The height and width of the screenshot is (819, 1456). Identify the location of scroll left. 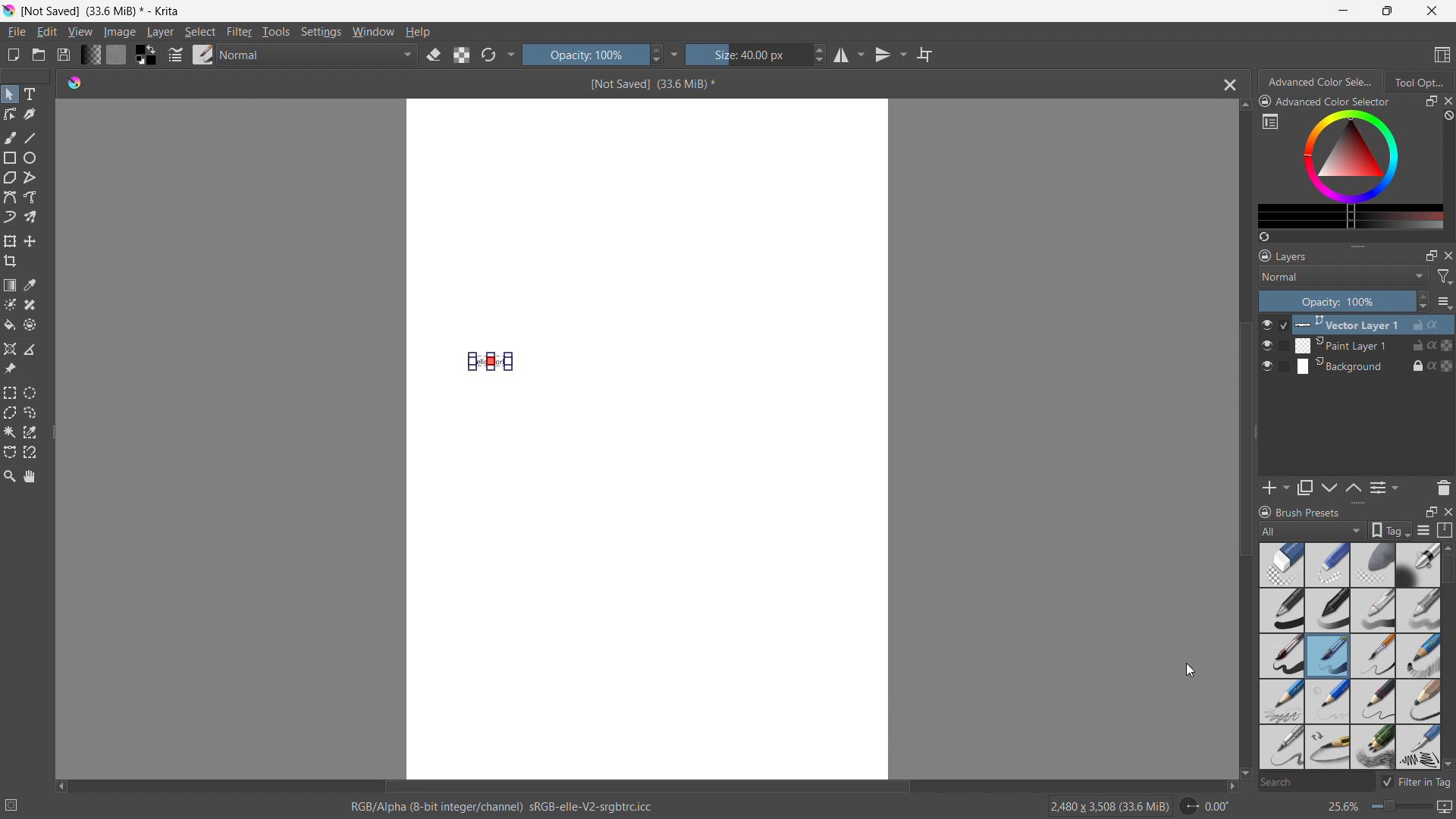
(61, 783).